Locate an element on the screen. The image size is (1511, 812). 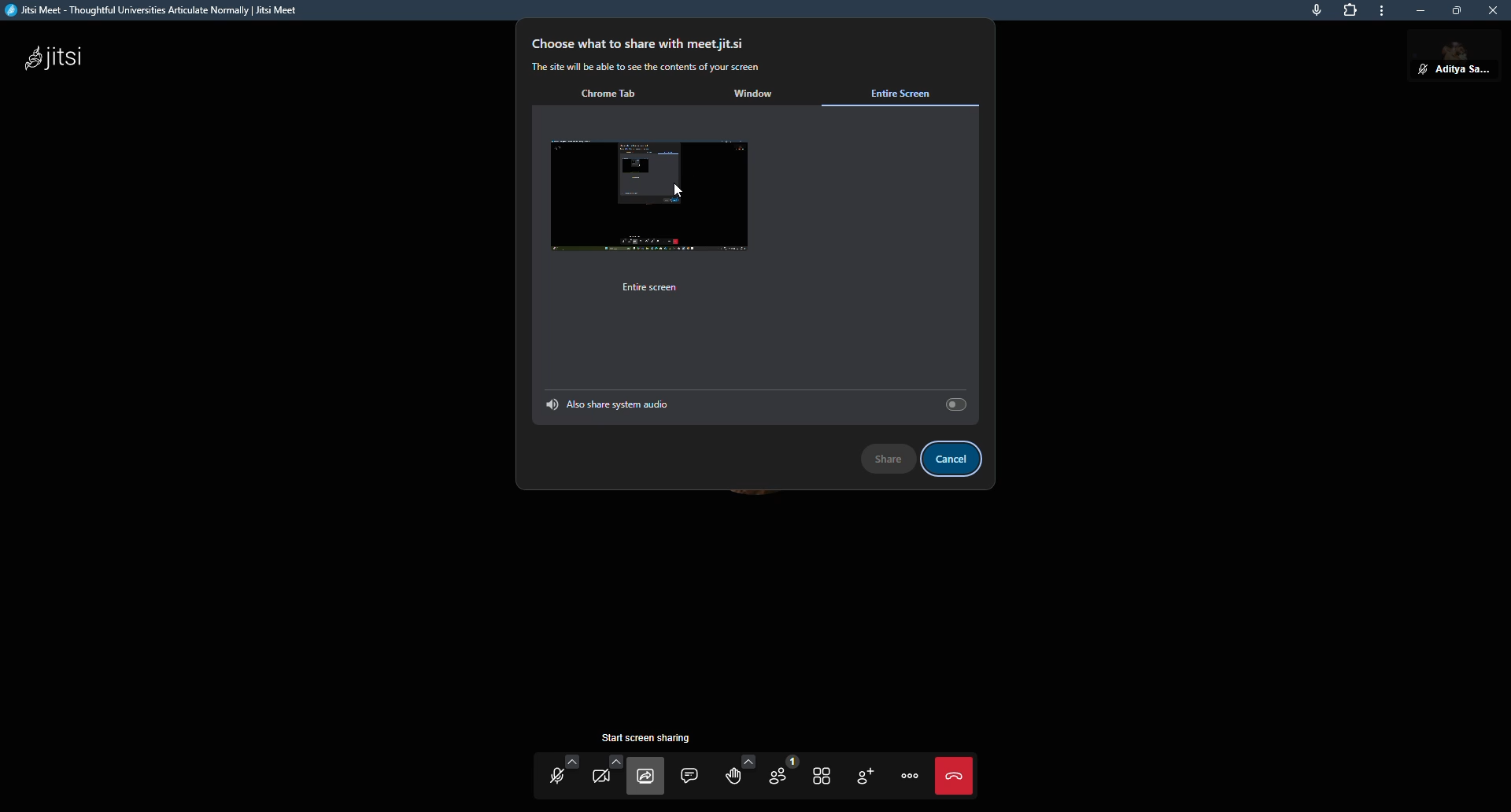
entire screen is located at coordinates (907, 90).